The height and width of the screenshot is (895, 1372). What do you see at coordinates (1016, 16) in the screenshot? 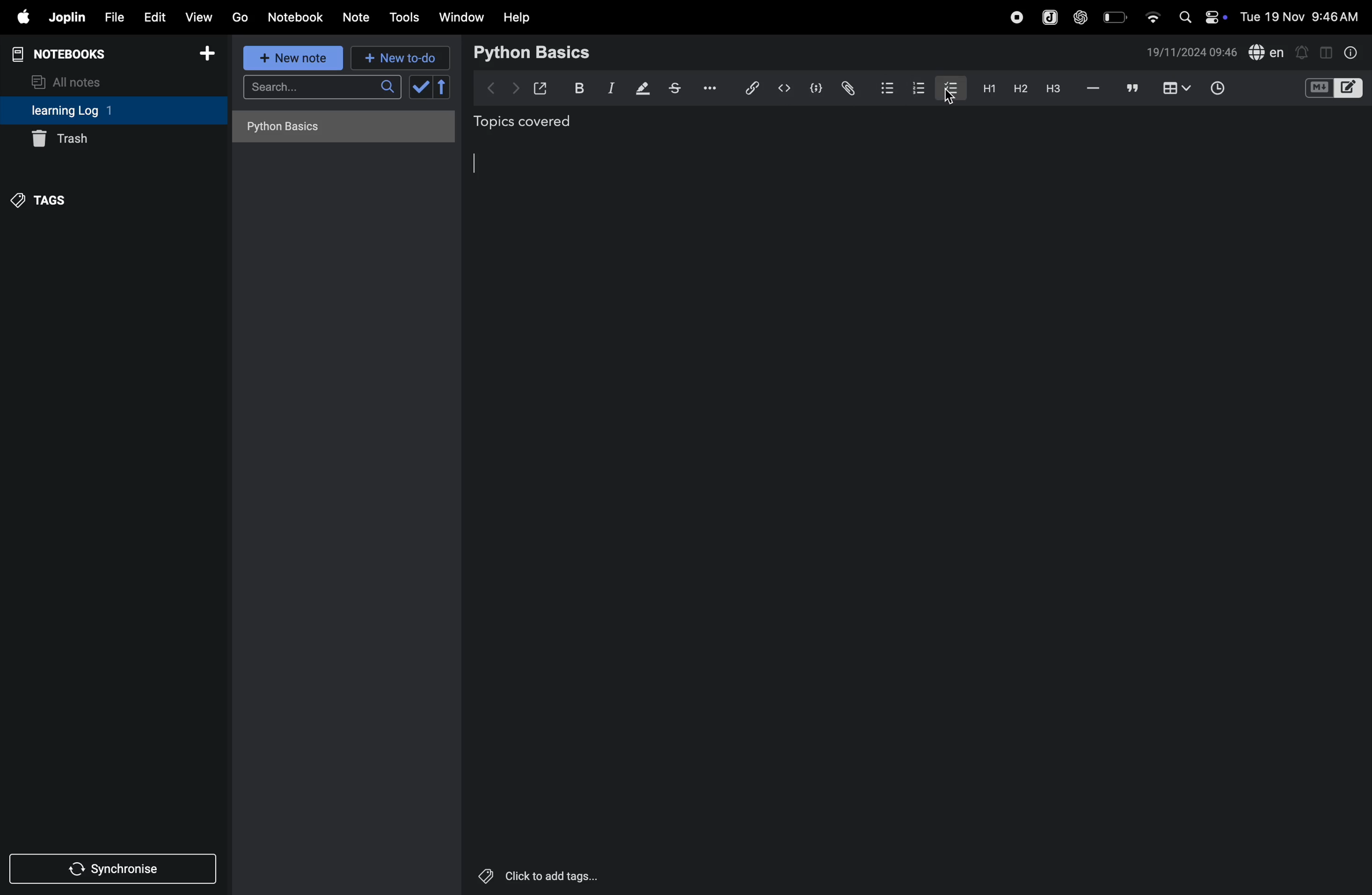
I see `record` at bounding box center [1016, 16].